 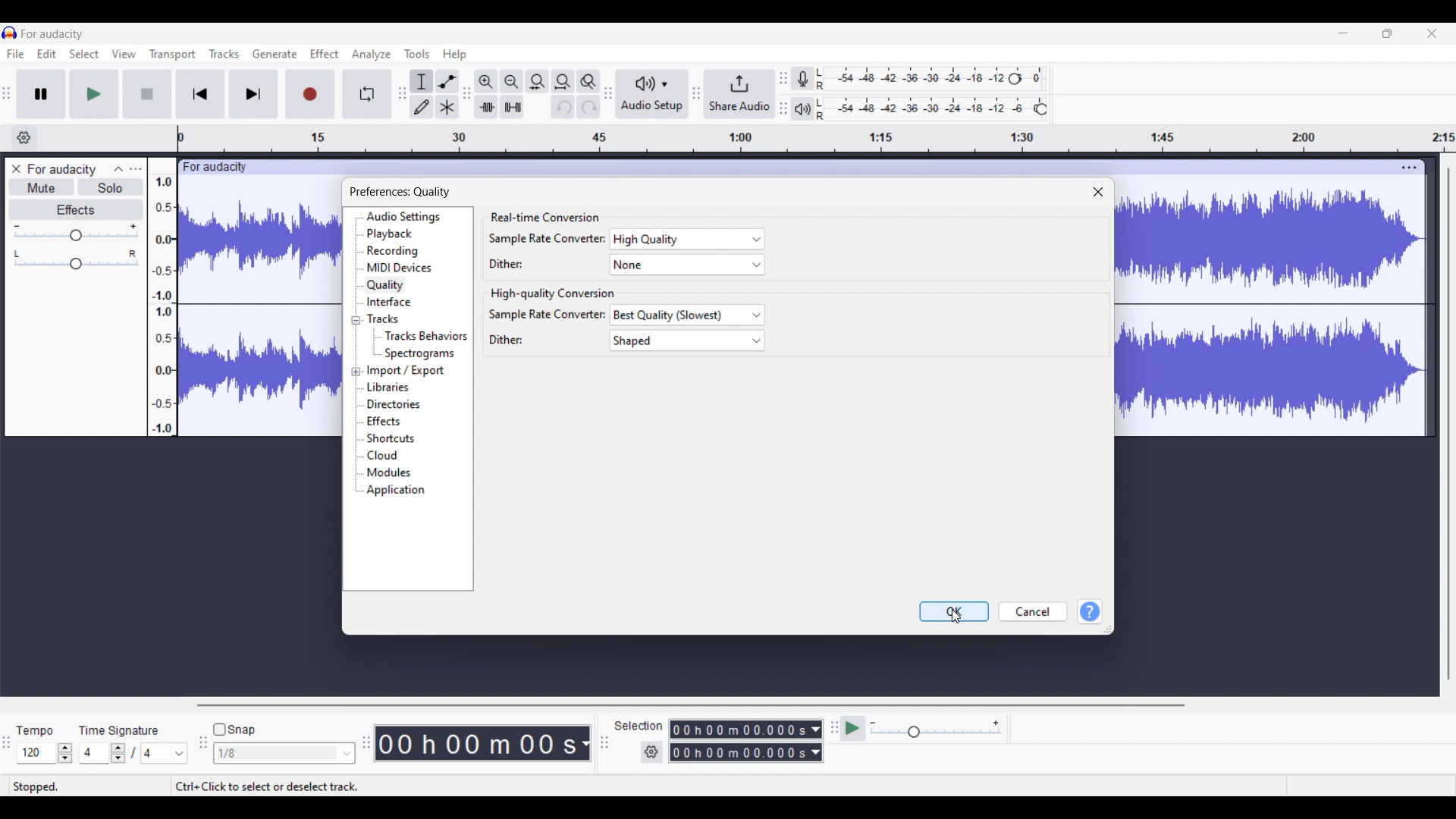 I want to click on Measurment options, so click(x=746, y=741).